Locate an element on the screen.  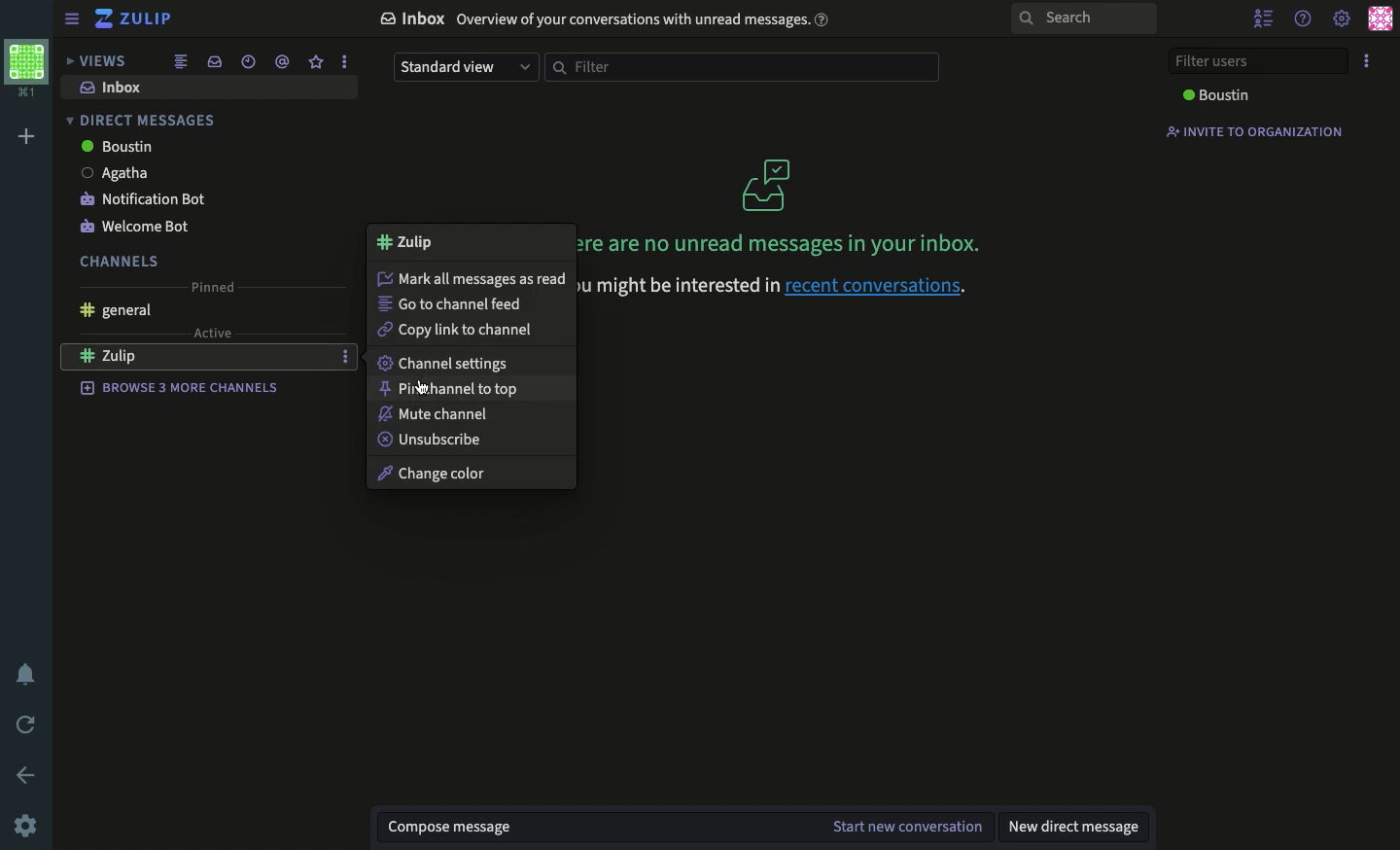
cursor is located at coordinates (421, 391).